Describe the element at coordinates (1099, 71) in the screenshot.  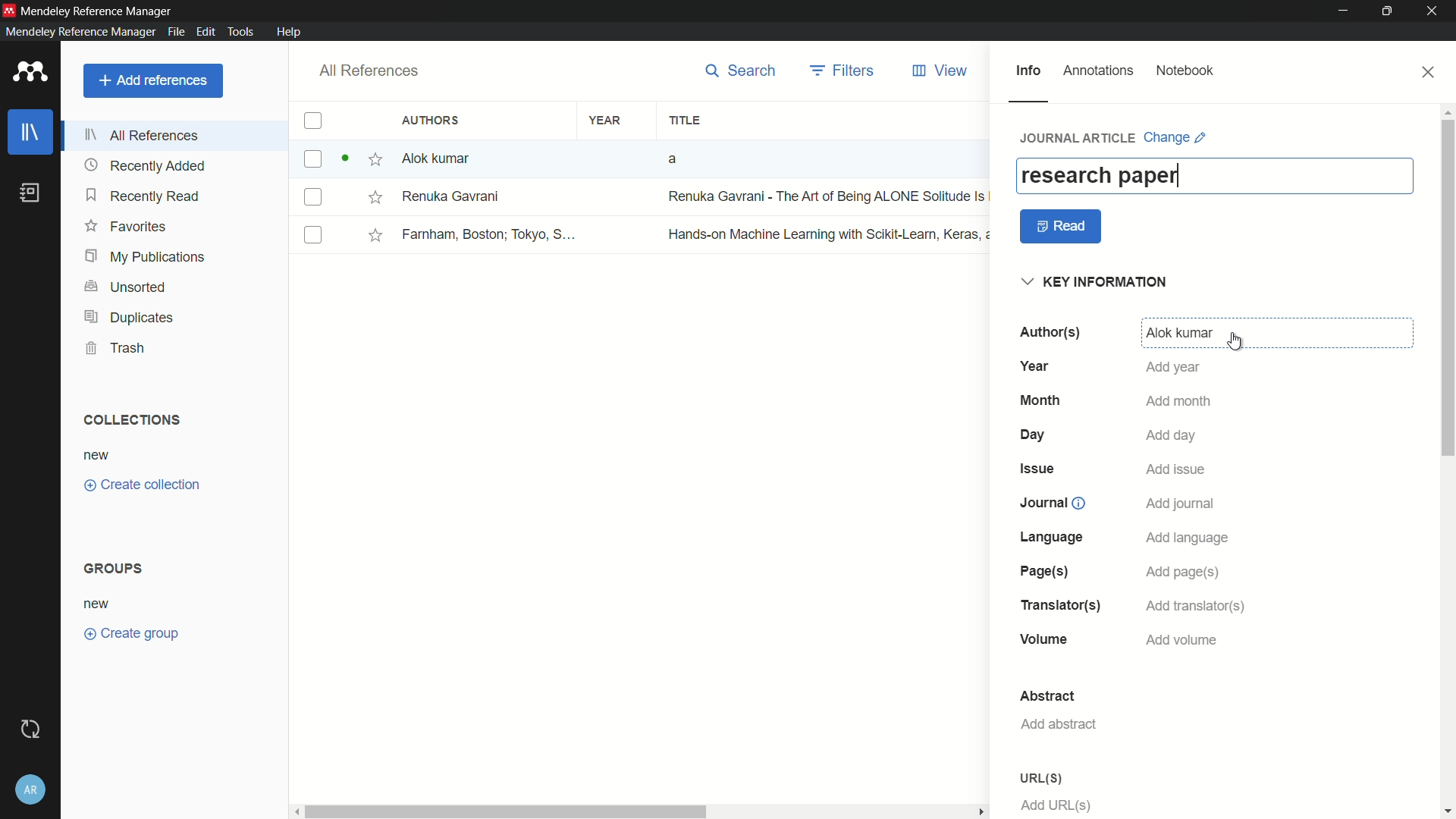
I see `annotations` at that location.